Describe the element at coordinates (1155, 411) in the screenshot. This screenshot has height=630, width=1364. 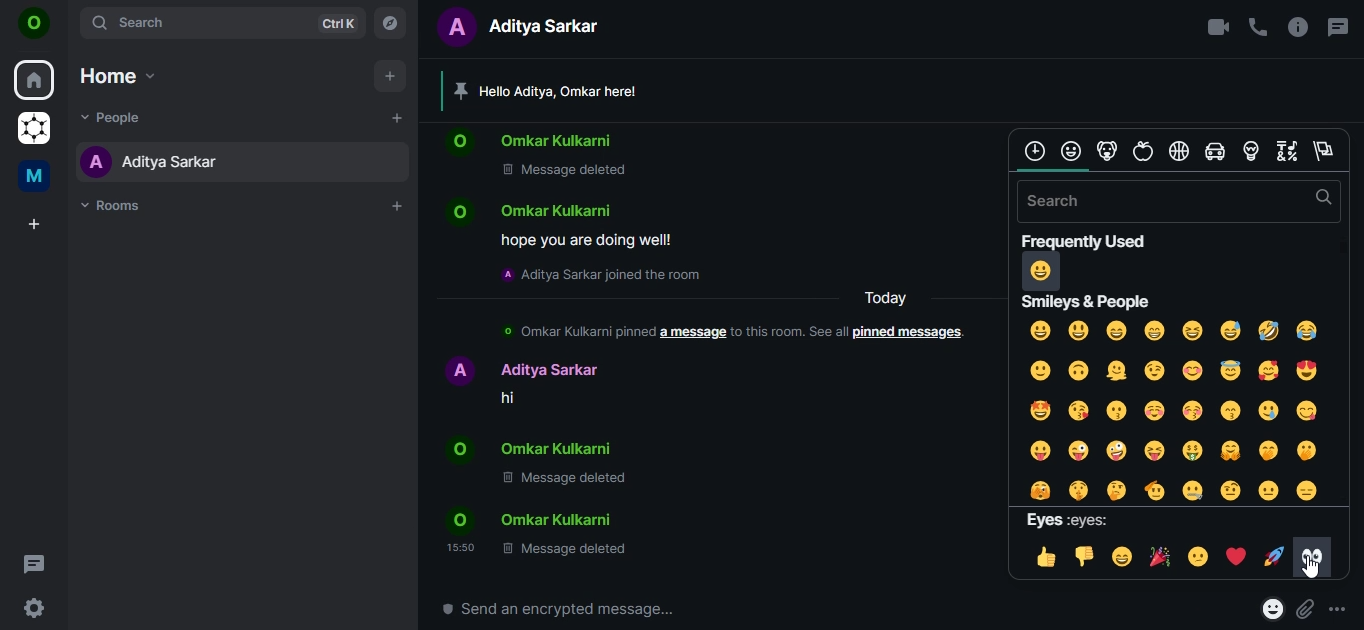
I see `smiling face` at that location.